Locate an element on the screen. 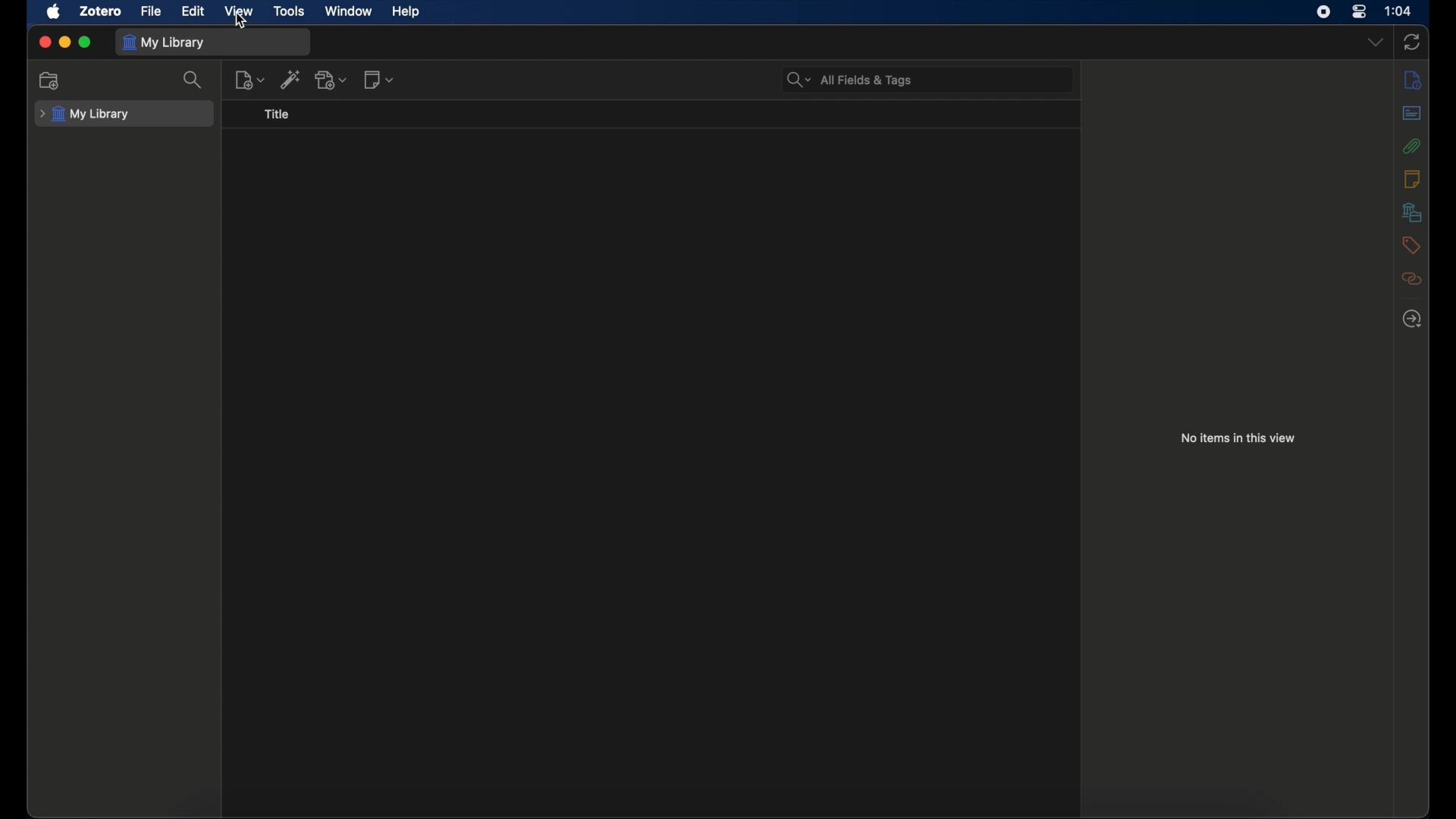 Image resolution: width=1456 pixels, height=819 pixels. add attachments is located at coordinates (332, 81).